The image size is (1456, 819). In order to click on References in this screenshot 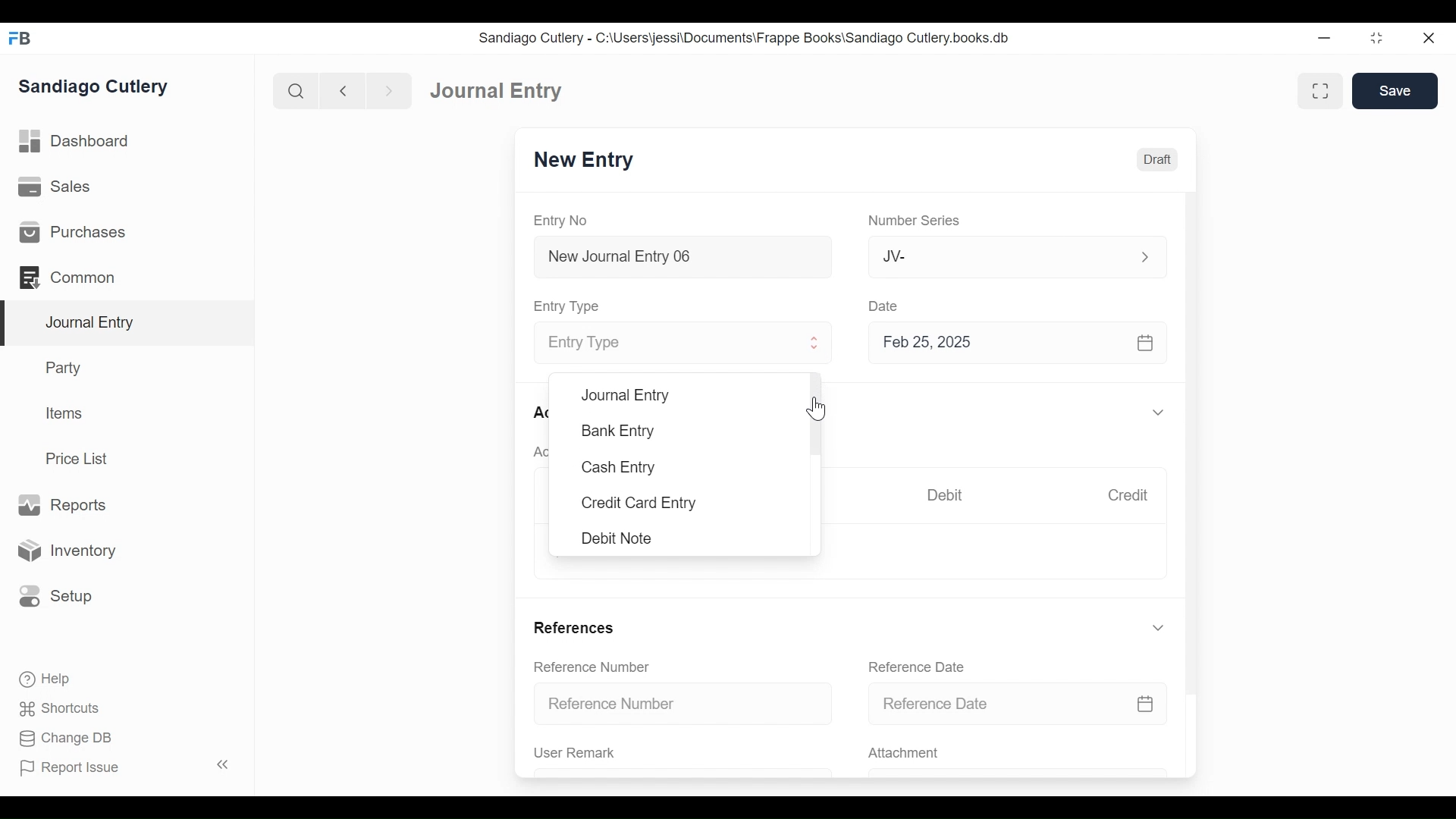, I will do `click(573, 627)`.